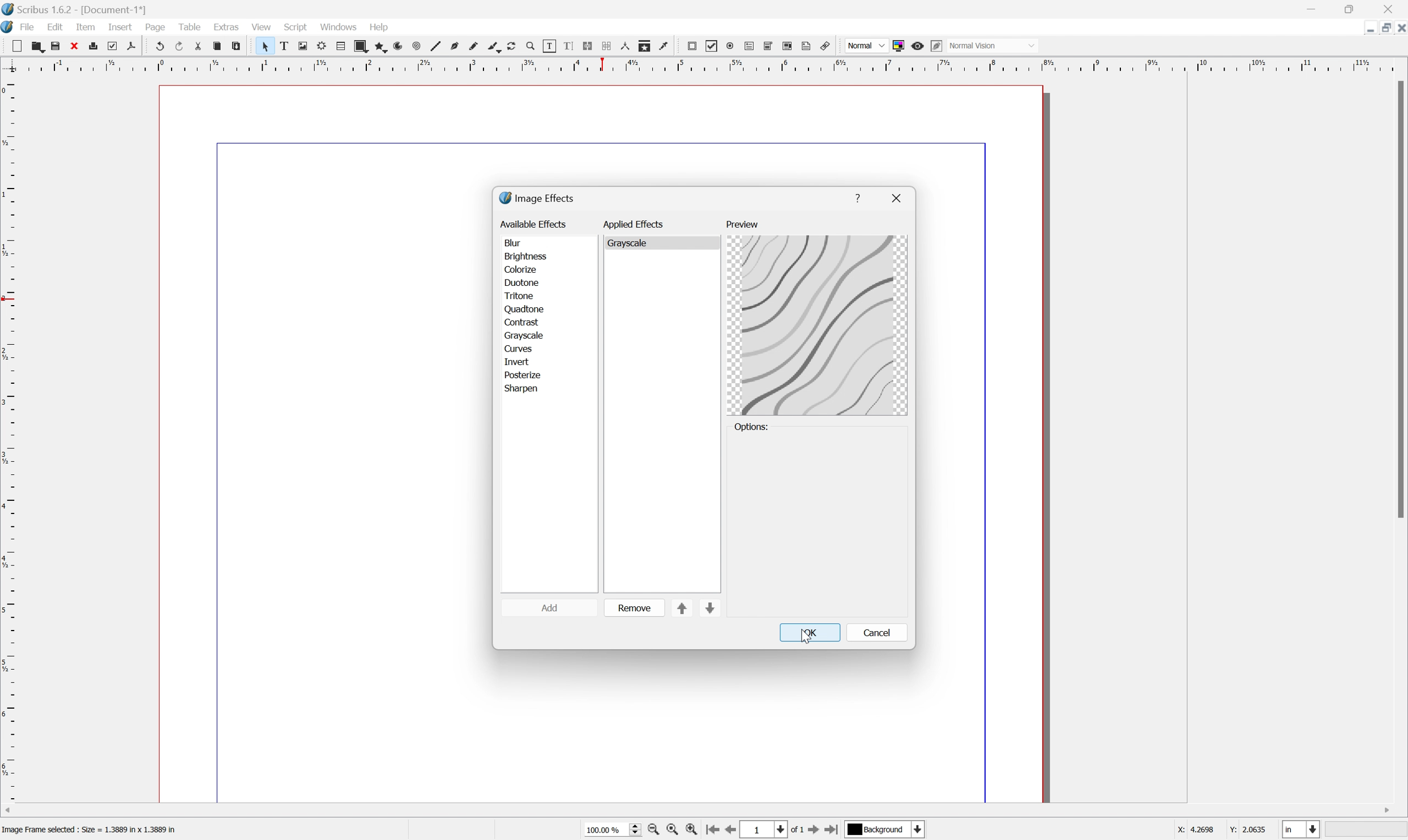 Image resolution: width=1408 pixels, height=840 pixels. I want to click on Zoom in or out, so click(536, 48).